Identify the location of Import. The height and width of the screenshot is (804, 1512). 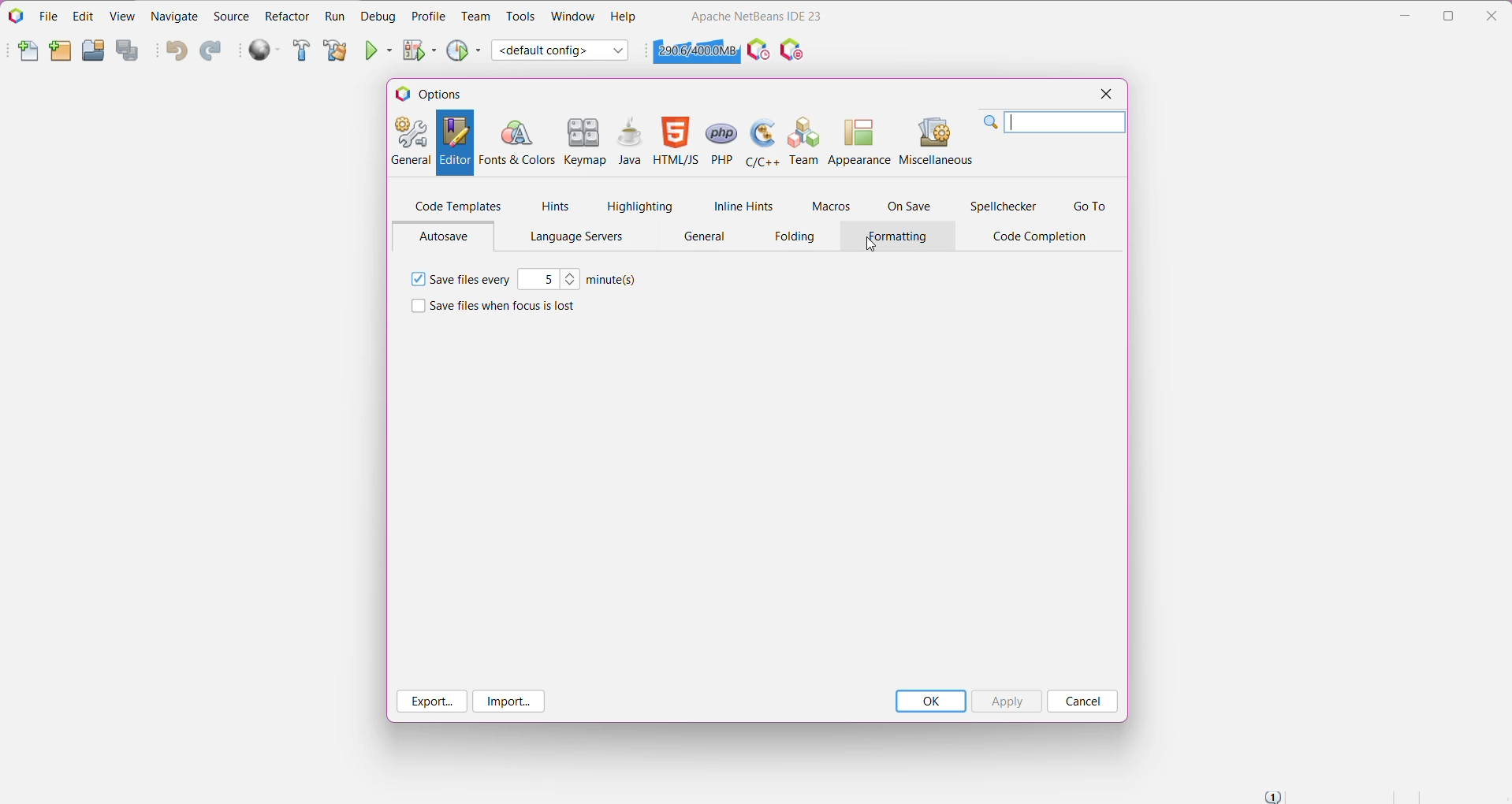
(509, 702).